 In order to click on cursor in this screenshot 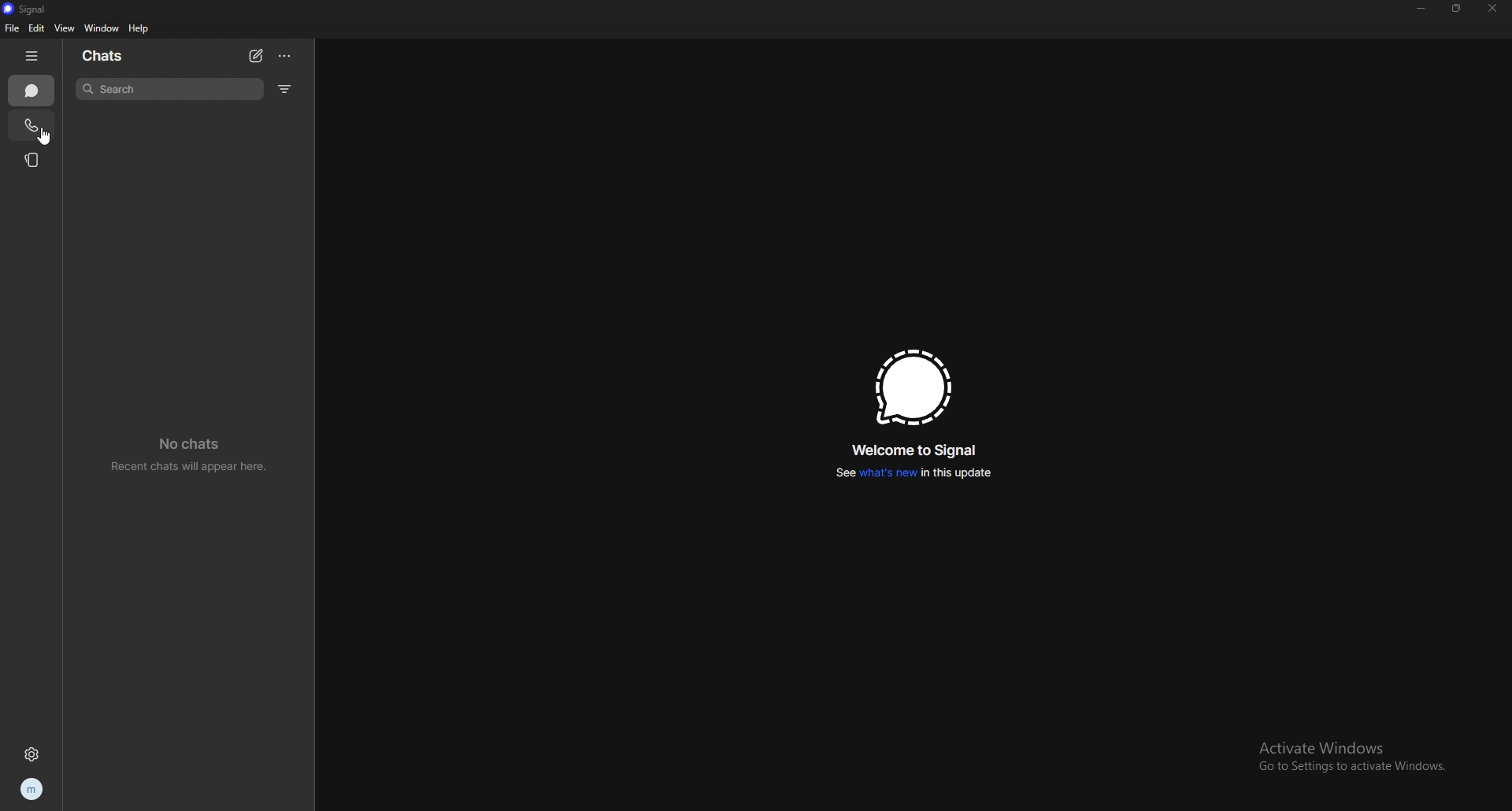, I will do `click(46, 136)`.